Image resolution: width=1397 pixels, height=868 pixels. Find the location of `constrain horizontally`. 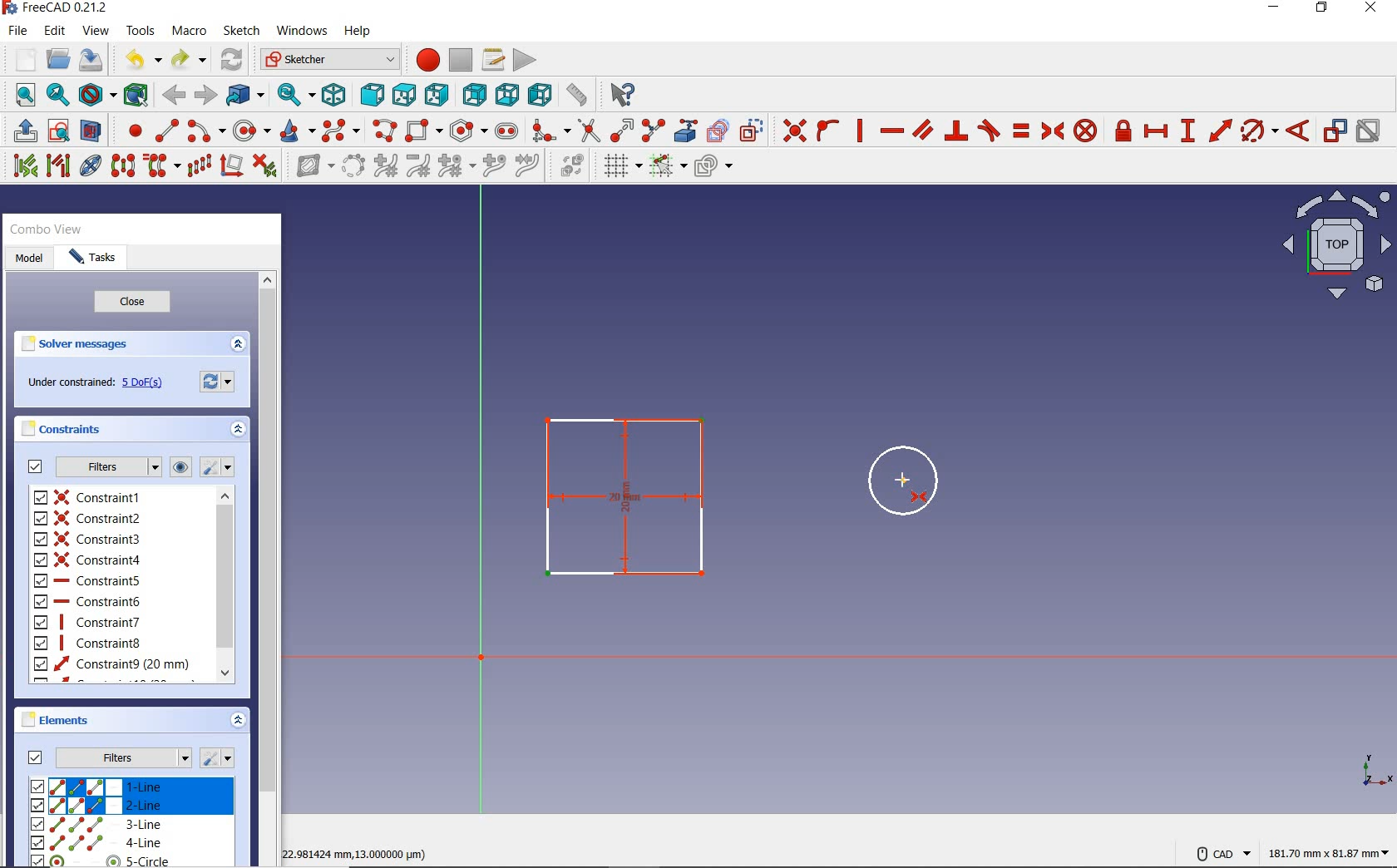

constrain horizontally is located at coordinates (893, 131).